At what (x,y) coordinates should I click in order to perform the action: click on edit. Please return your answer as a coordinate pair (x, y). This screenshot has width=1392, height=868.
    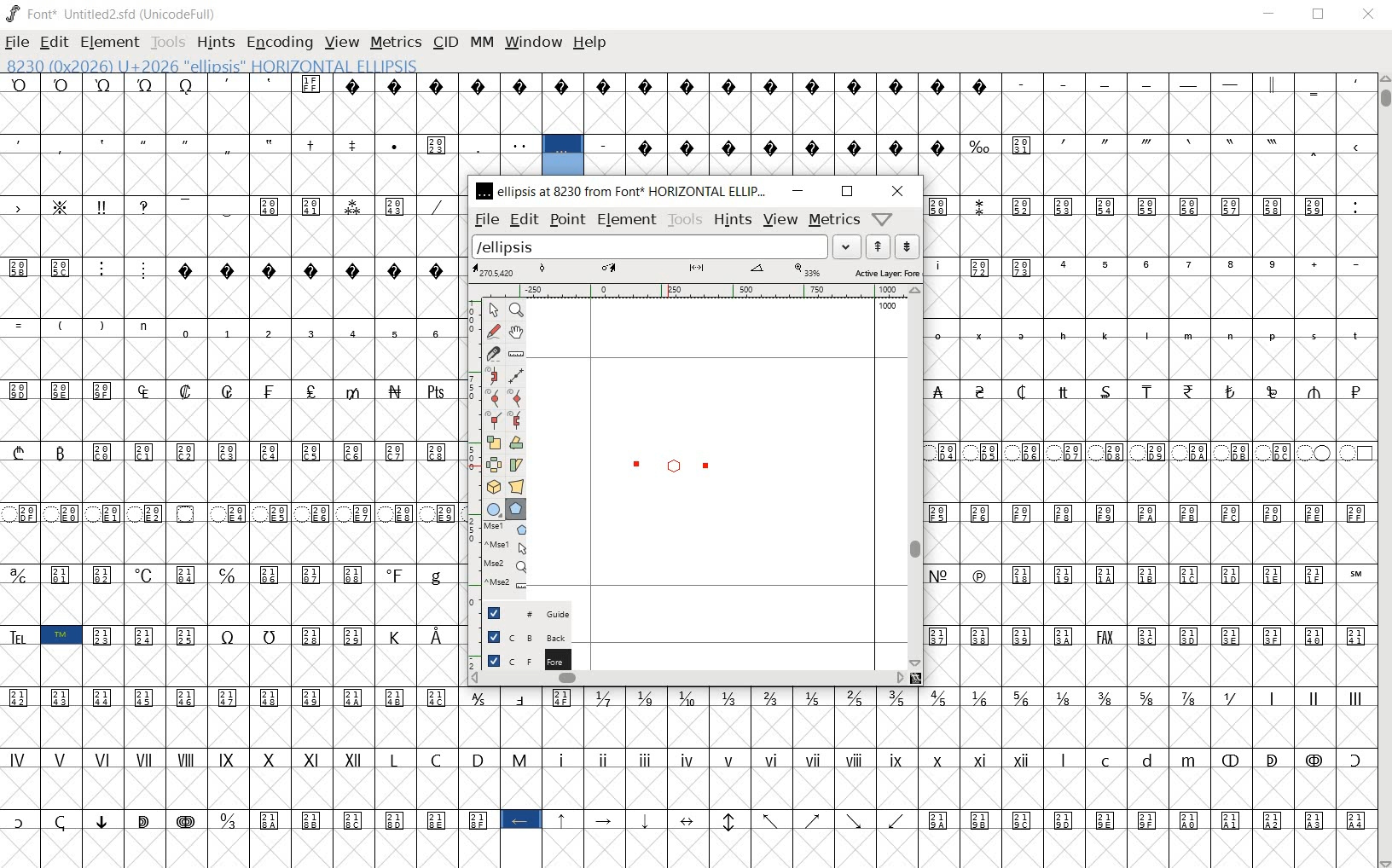
    Looking at the image, I should click on (522, 219).